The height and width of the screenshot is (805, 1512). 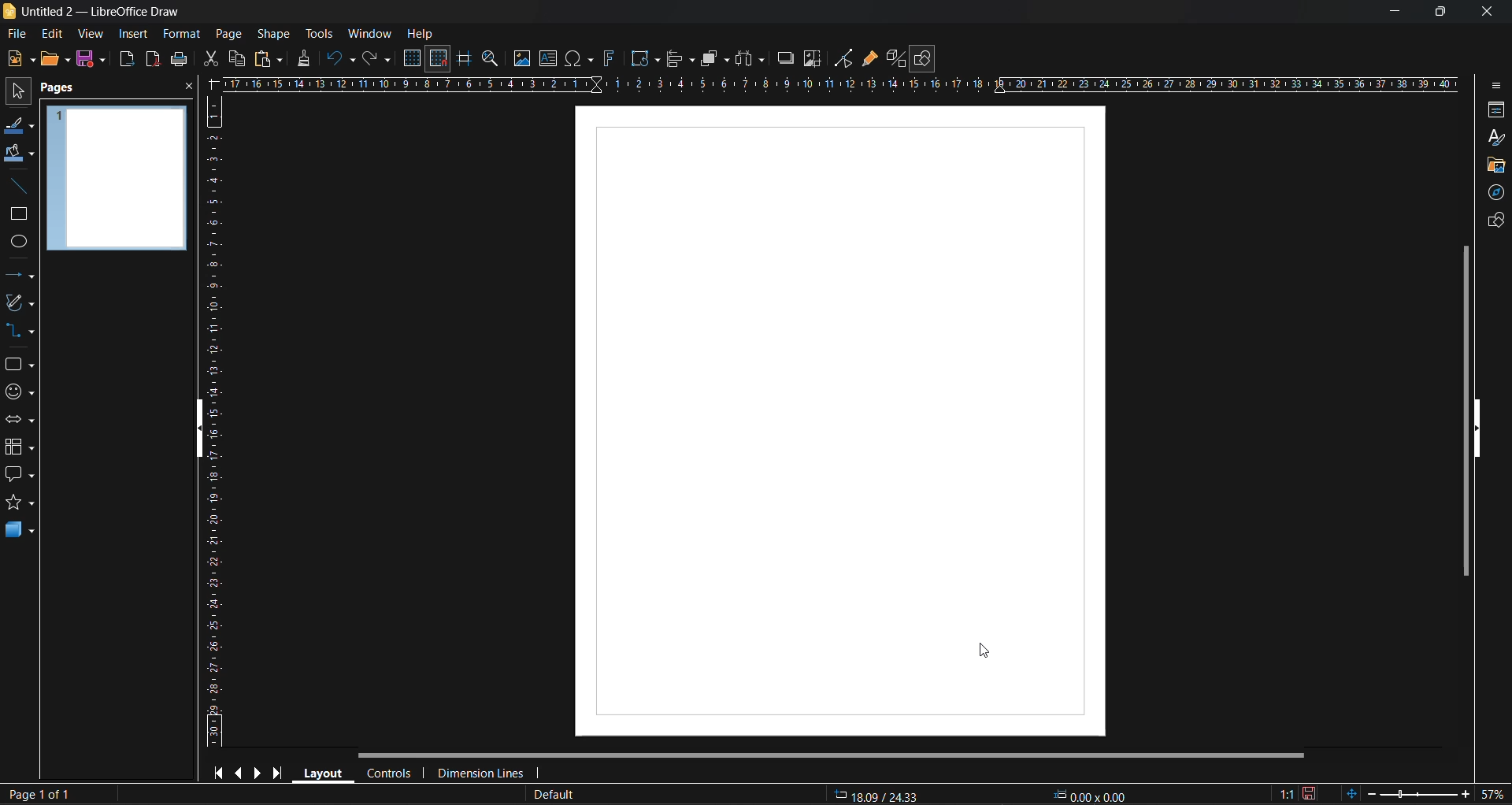 What do you see at coordinates (18, 478) in the screenshot?
I see `callout shapes` at bounding box center [18, 478].